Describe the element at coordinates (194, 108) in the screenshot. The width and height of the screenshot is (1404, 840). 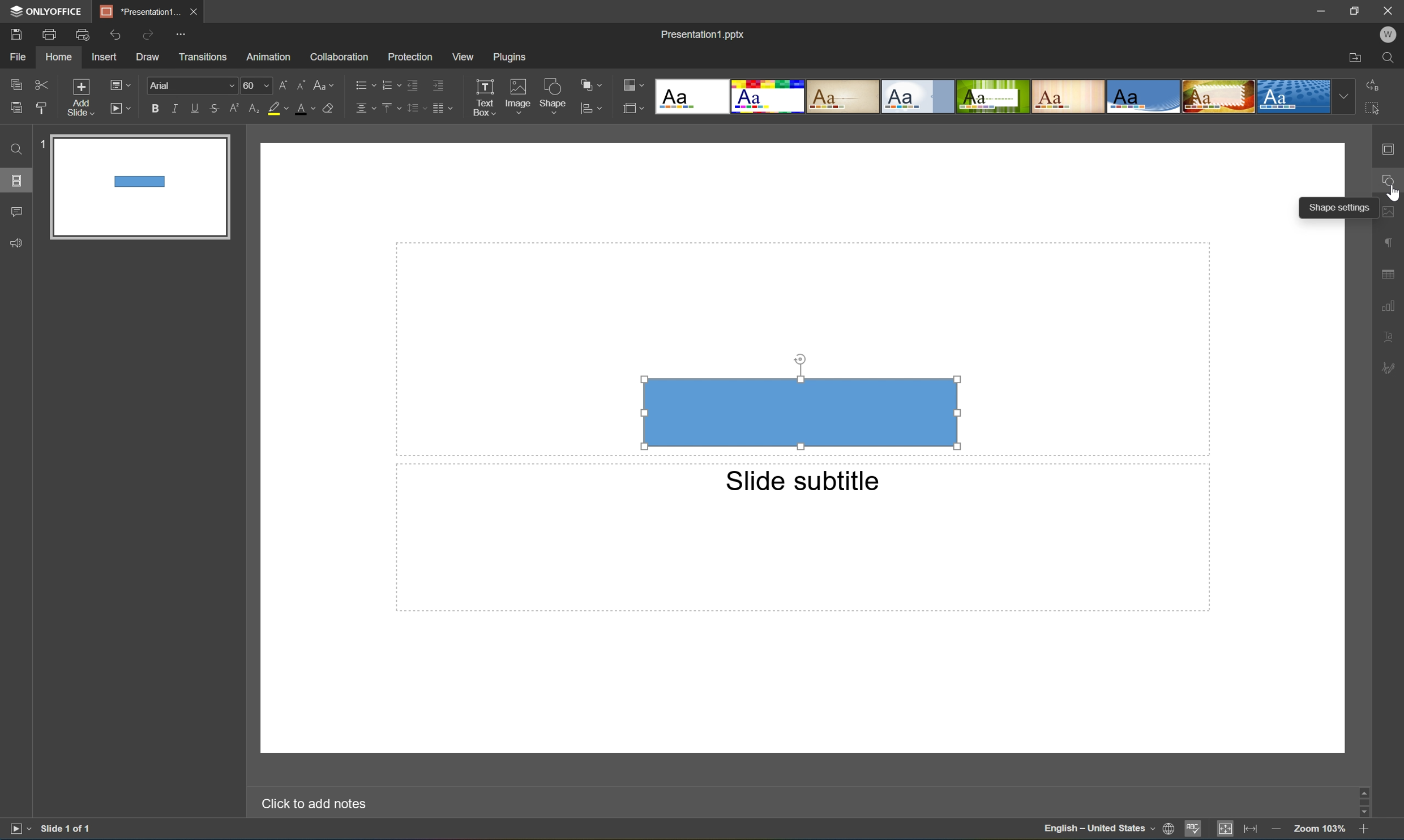
I see `Underline` at that location.